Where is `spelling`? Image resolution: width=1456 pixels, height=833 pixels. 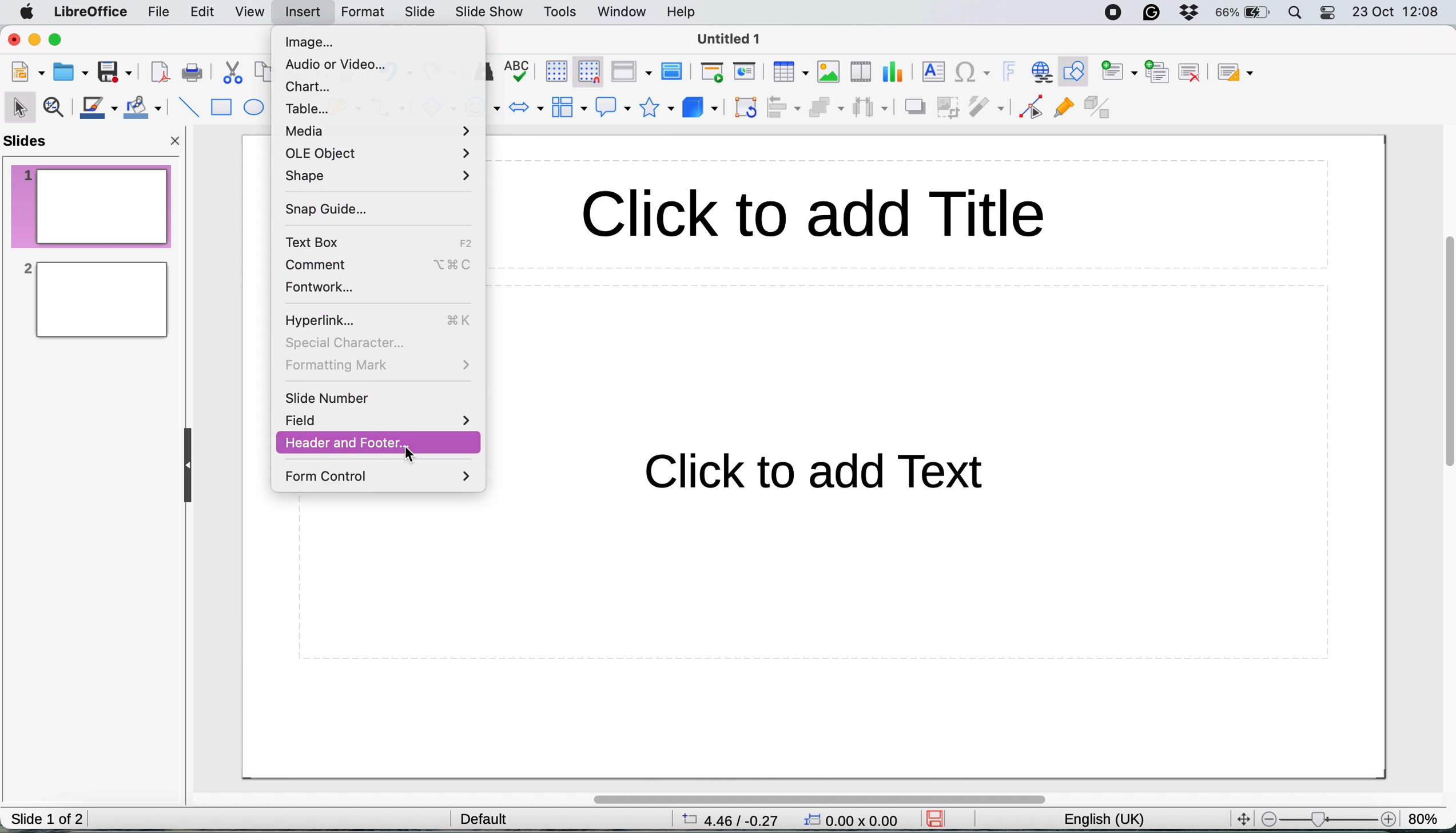 spelling is located at coordinates (519, 69).